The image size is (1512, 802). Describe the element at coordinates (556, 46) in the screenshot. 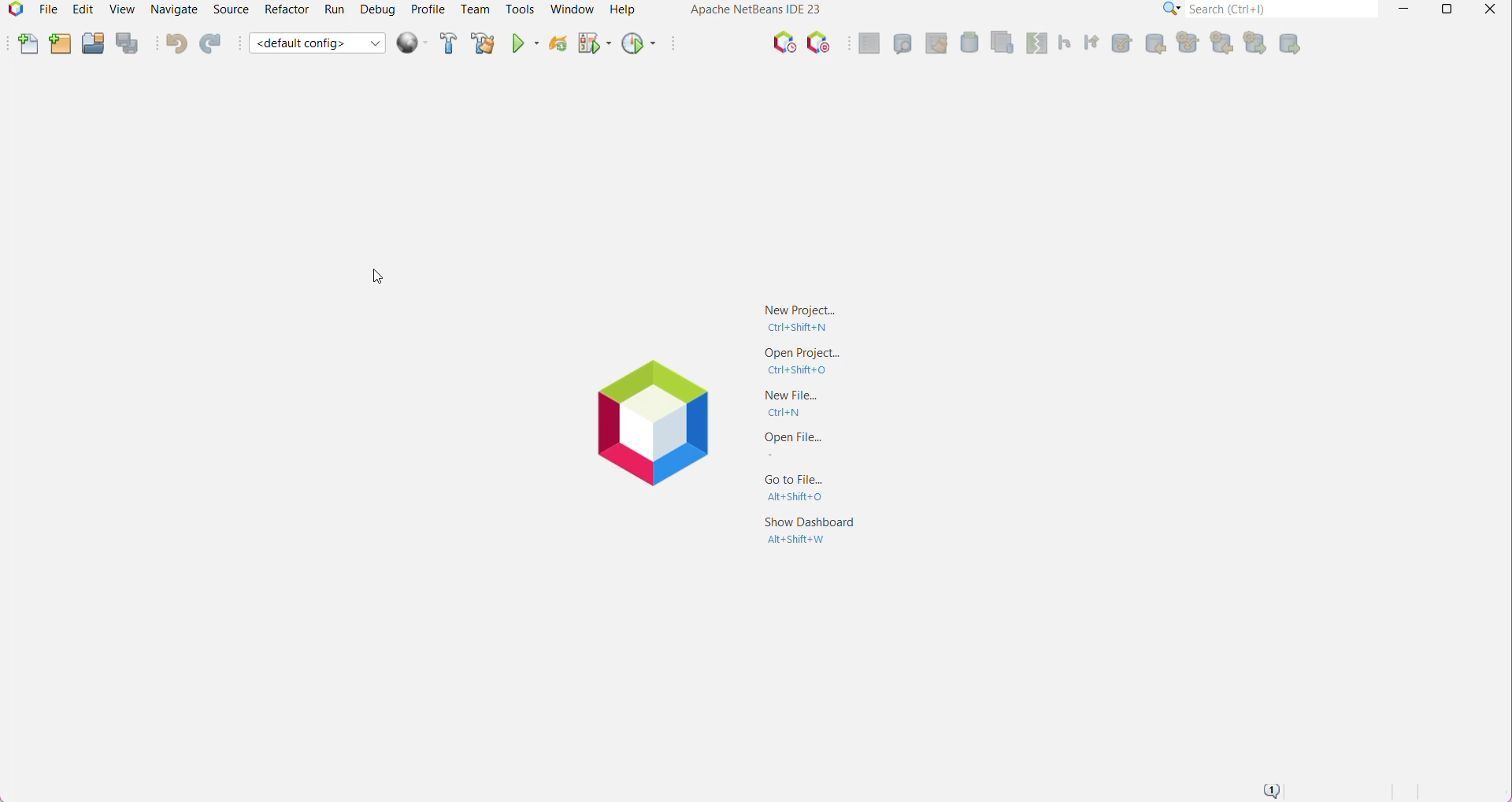

I see `Reload` at that location.